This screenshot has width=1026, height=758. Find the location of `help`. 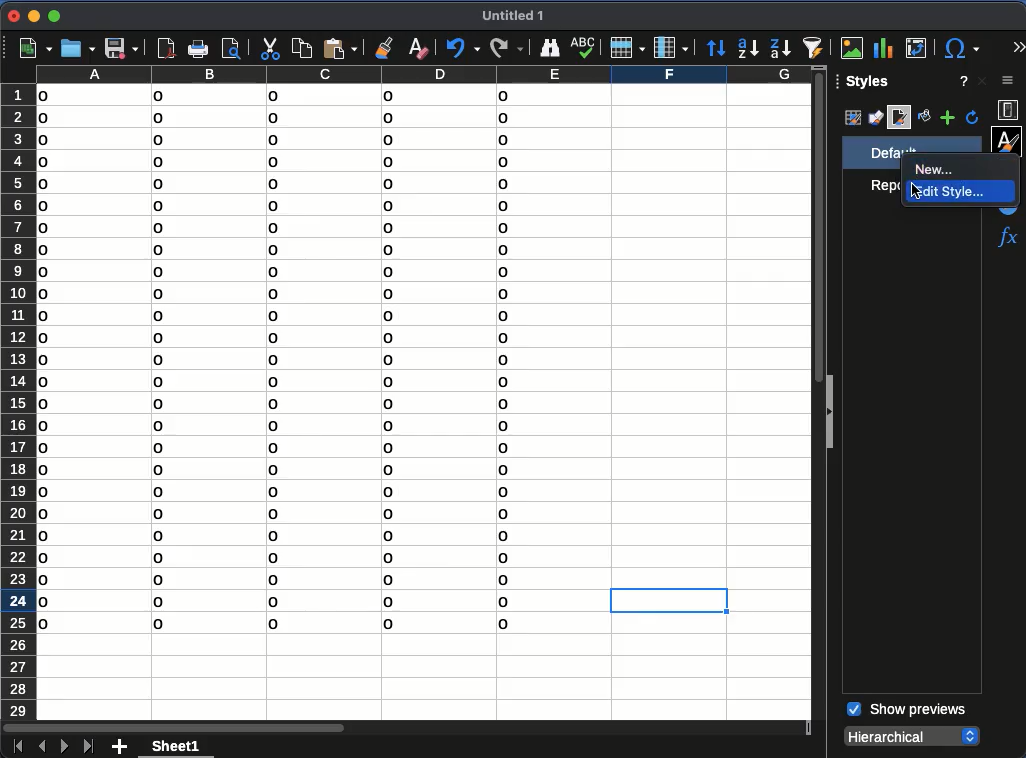

help is located at coordinates (961, 81).